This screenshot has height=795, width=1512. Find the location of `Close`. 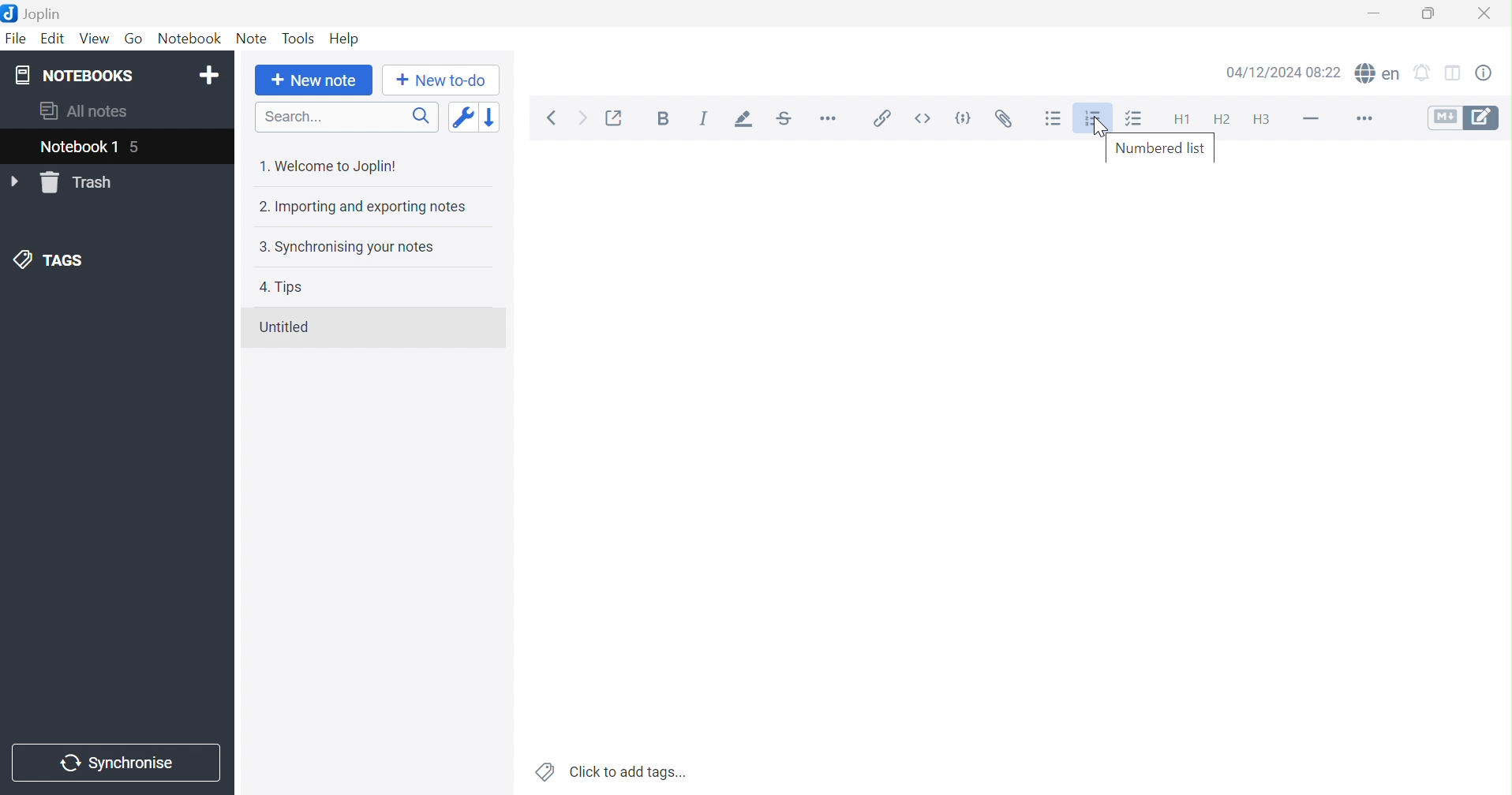

Close is located at coordinates (1486, 11).